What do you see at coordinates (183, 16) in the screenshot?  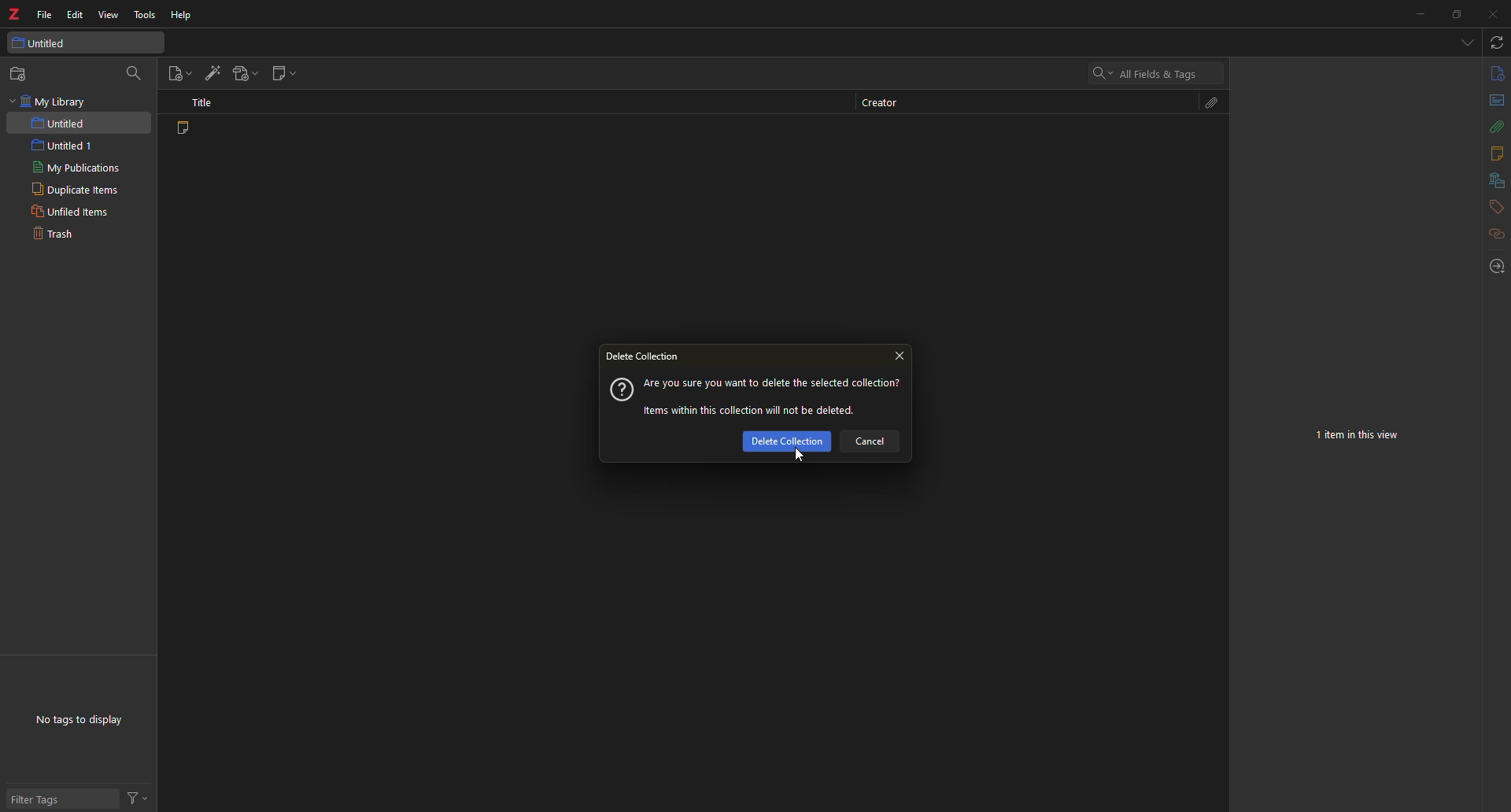 I see `help` at bounding box center [183, 16].